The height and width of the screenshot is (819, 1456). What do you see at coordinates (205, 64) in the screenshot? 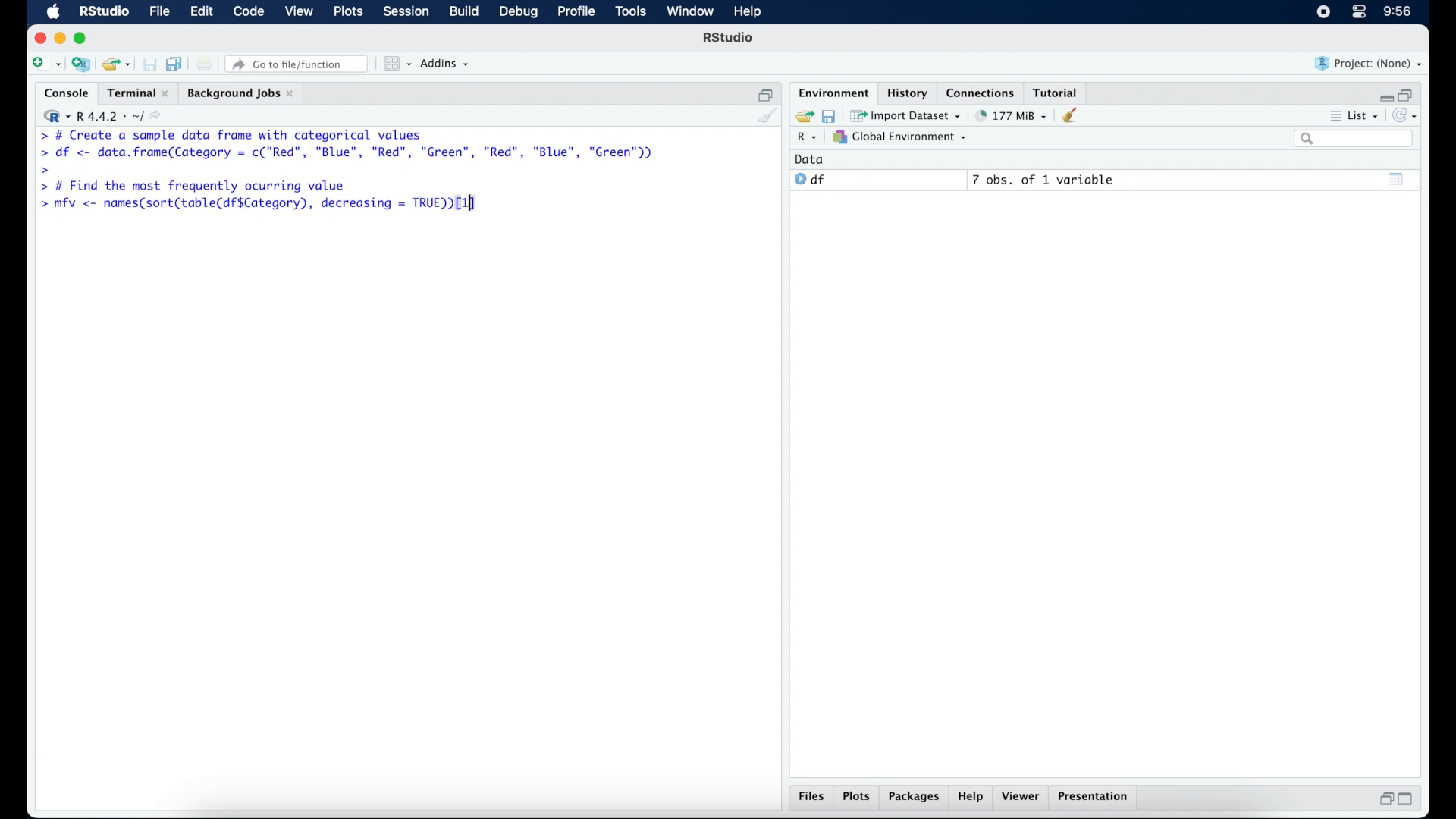
I see `print` at bounding box center [205, 64].